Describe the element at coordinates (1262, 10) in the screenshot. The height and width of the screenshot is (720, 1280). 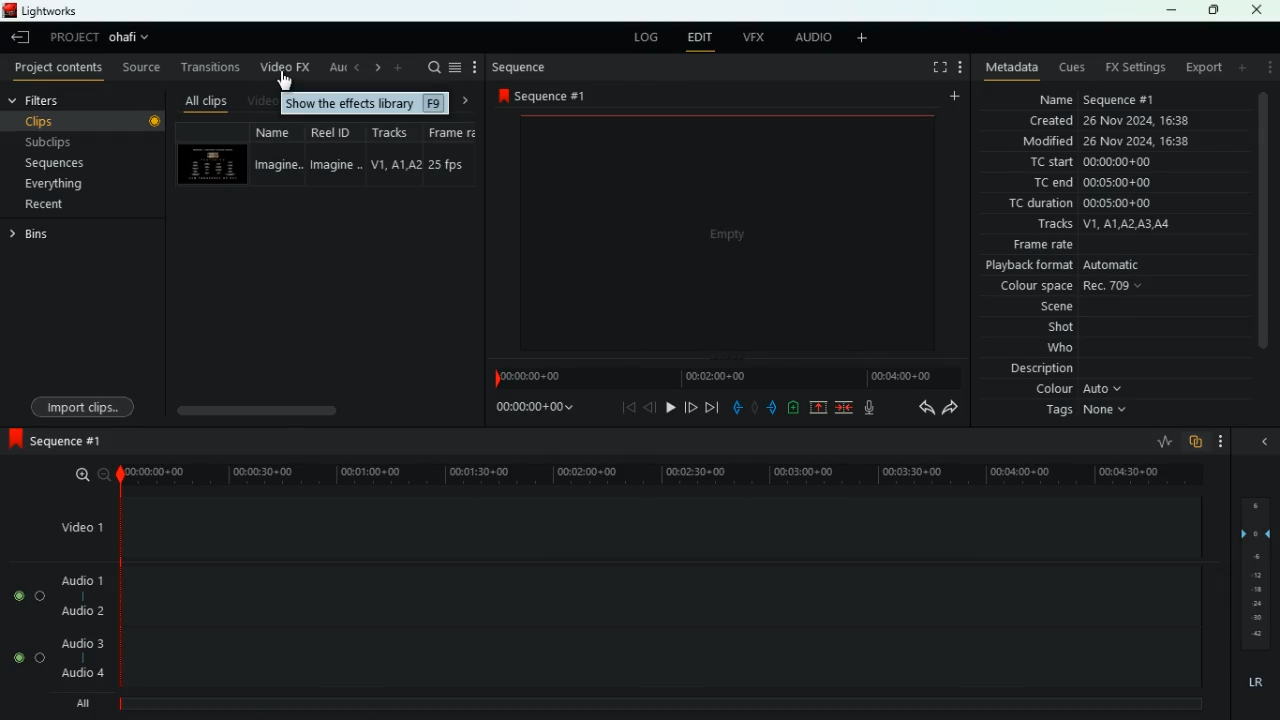
I see `close` at that location.